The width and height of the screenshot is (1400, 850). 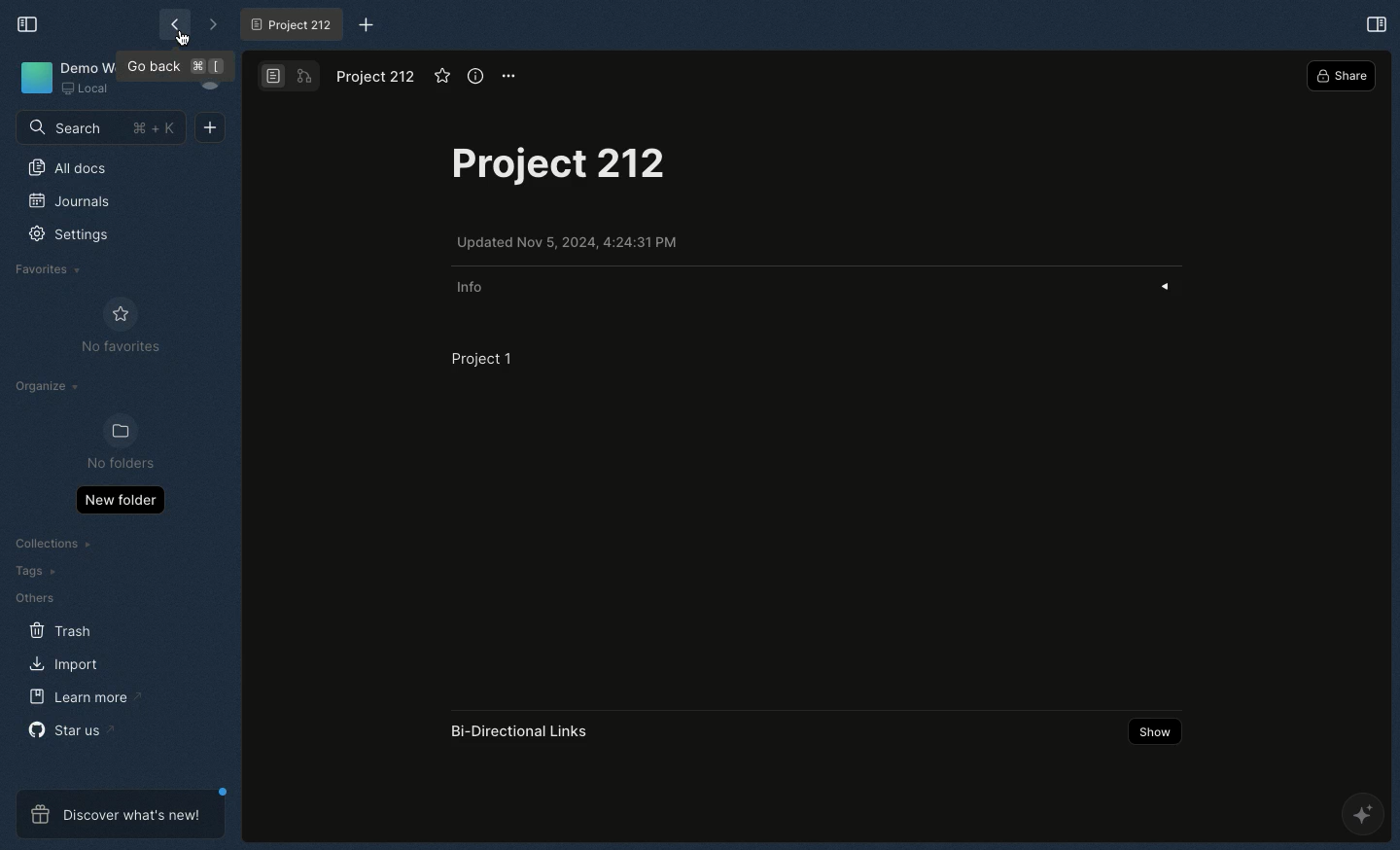 I want to click on Collapse sidebar, so click(x=32, y=24).